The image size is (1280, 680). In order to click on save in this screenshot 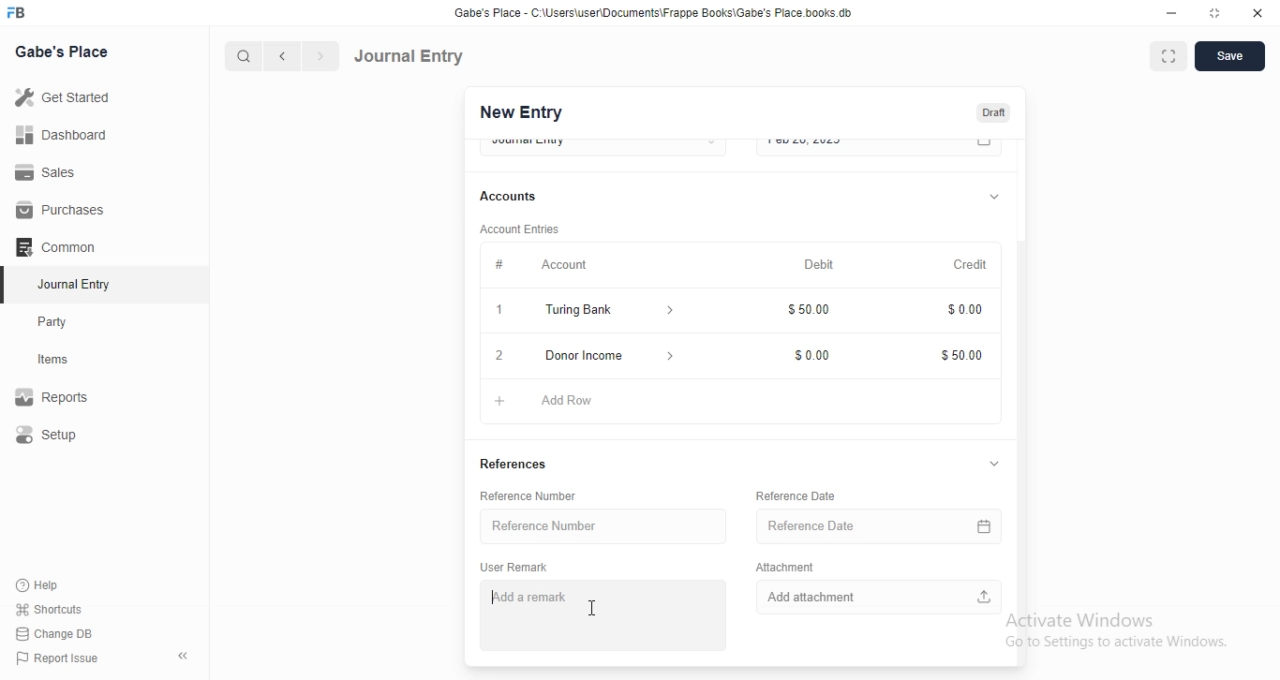, I will do `click(1232, 56)`.